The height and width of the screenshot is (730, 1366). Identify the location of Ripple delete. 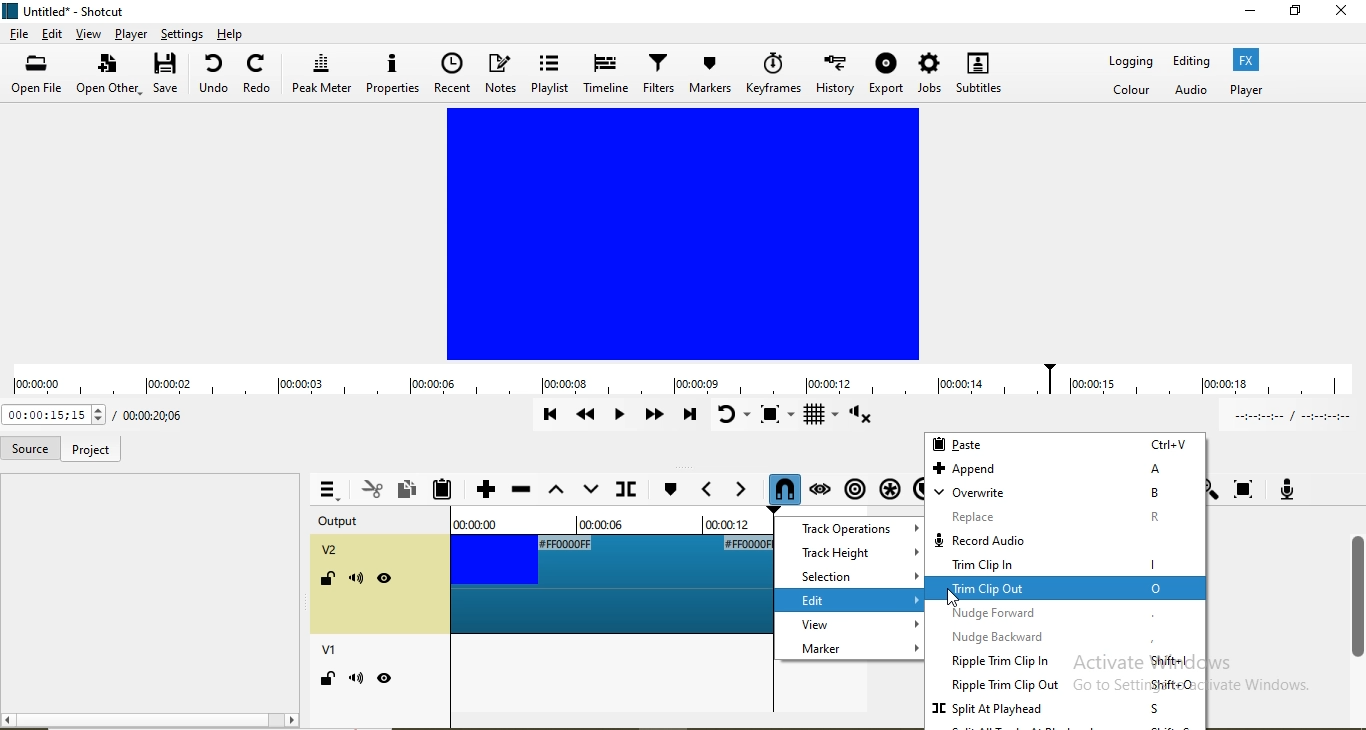
(522, 493).